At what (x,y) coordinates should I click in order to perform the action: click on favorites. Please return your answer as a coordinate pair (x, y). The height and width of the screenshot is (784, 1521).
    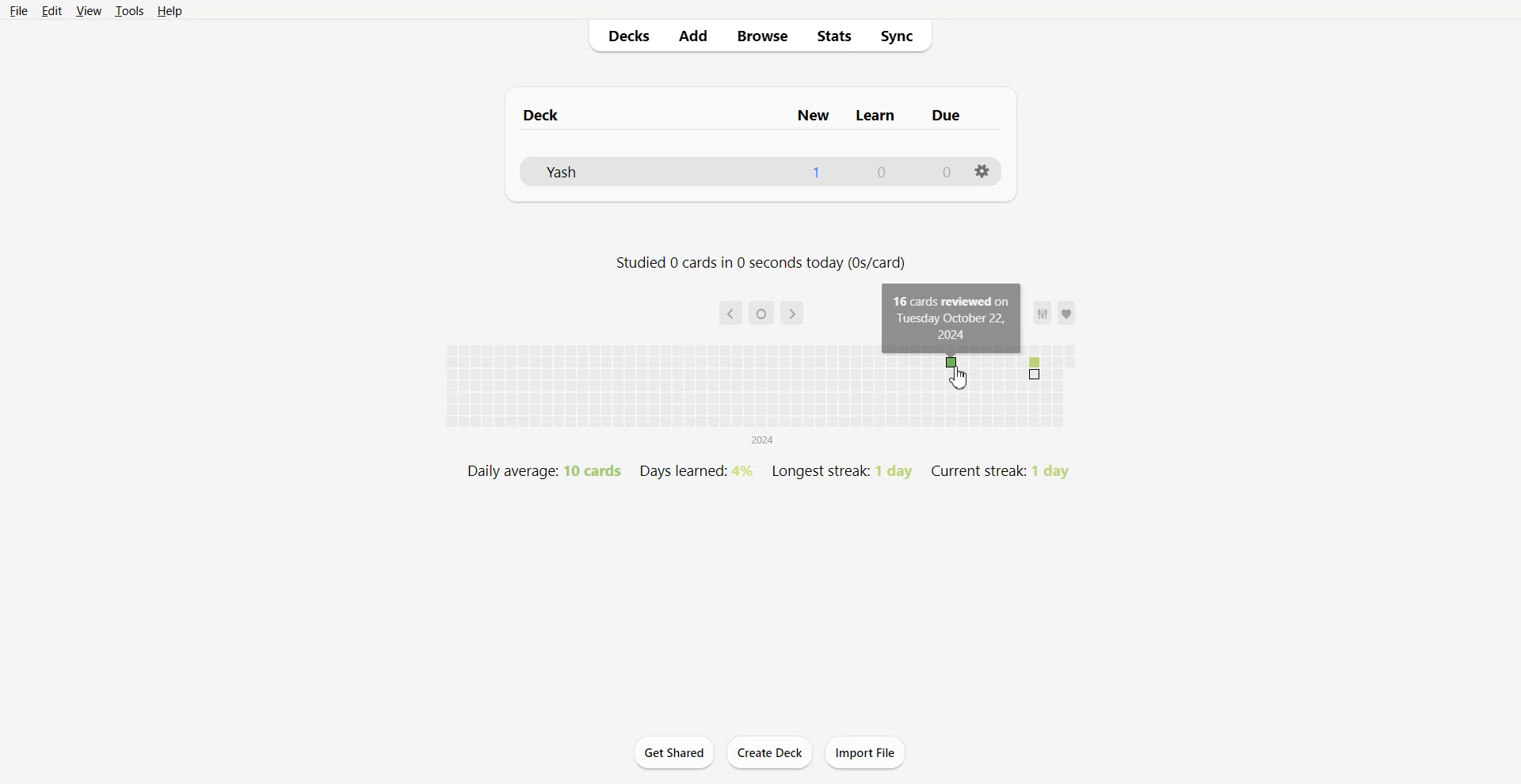
    Looking at the image, I should click on (1054, 313).